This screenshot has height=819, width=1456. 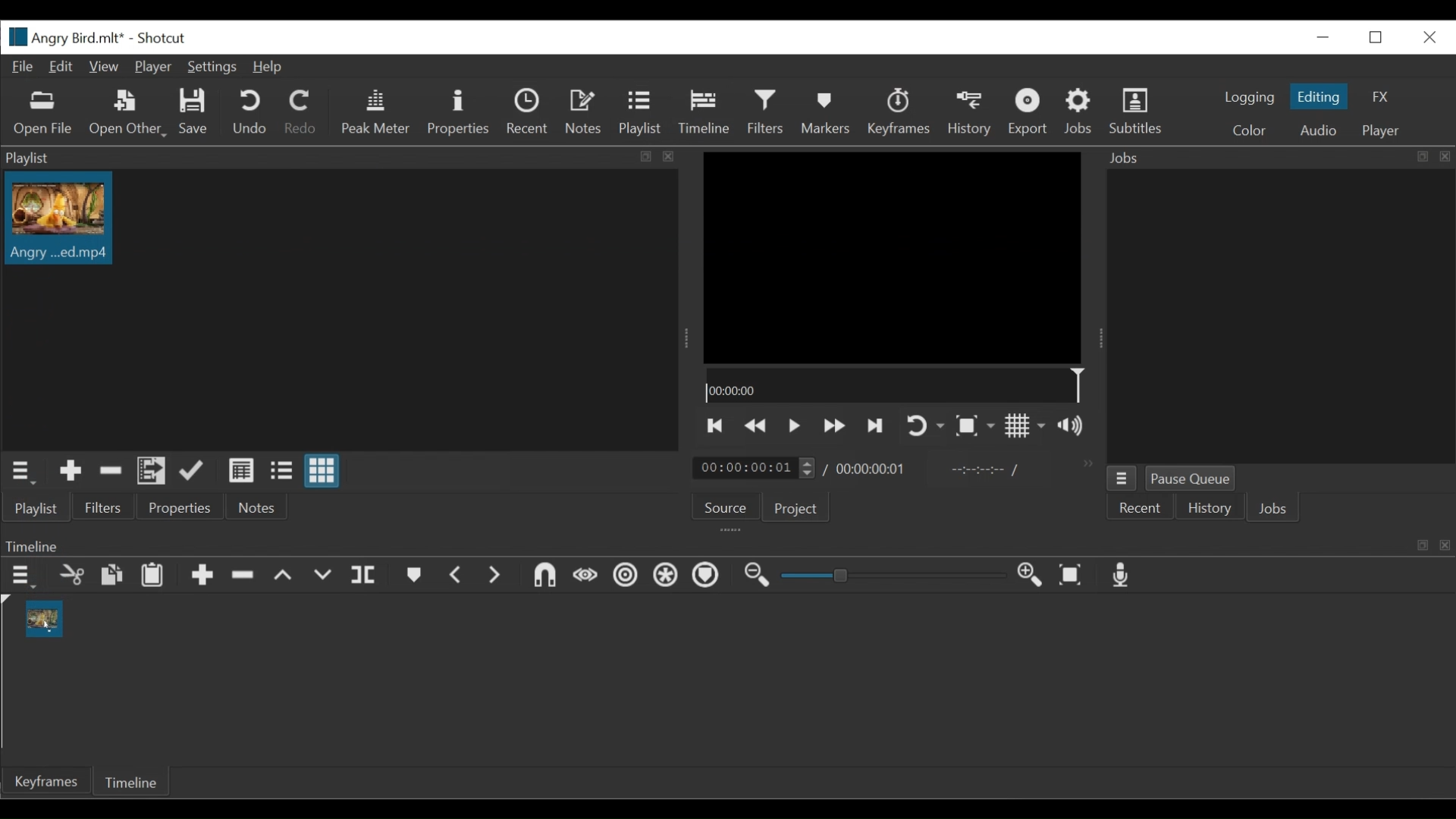 What do you see at coordinates (283, 576) in the screenshot?
I see `Lift` at bounding box center [283, 576].